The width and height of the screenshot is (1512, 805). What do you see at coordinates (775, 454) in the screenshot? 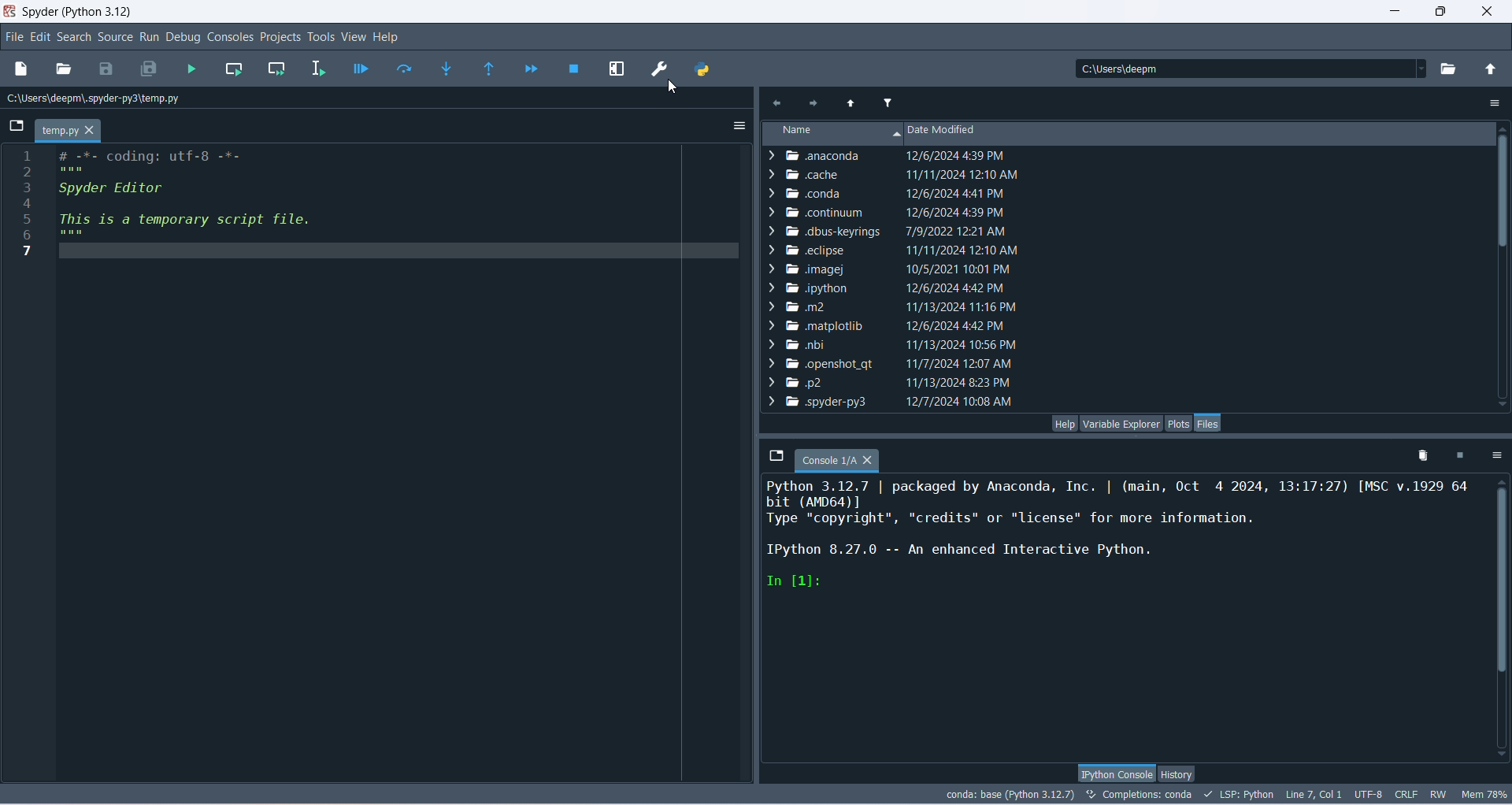
I see `browse tabs` at bounding box center [775, 454].